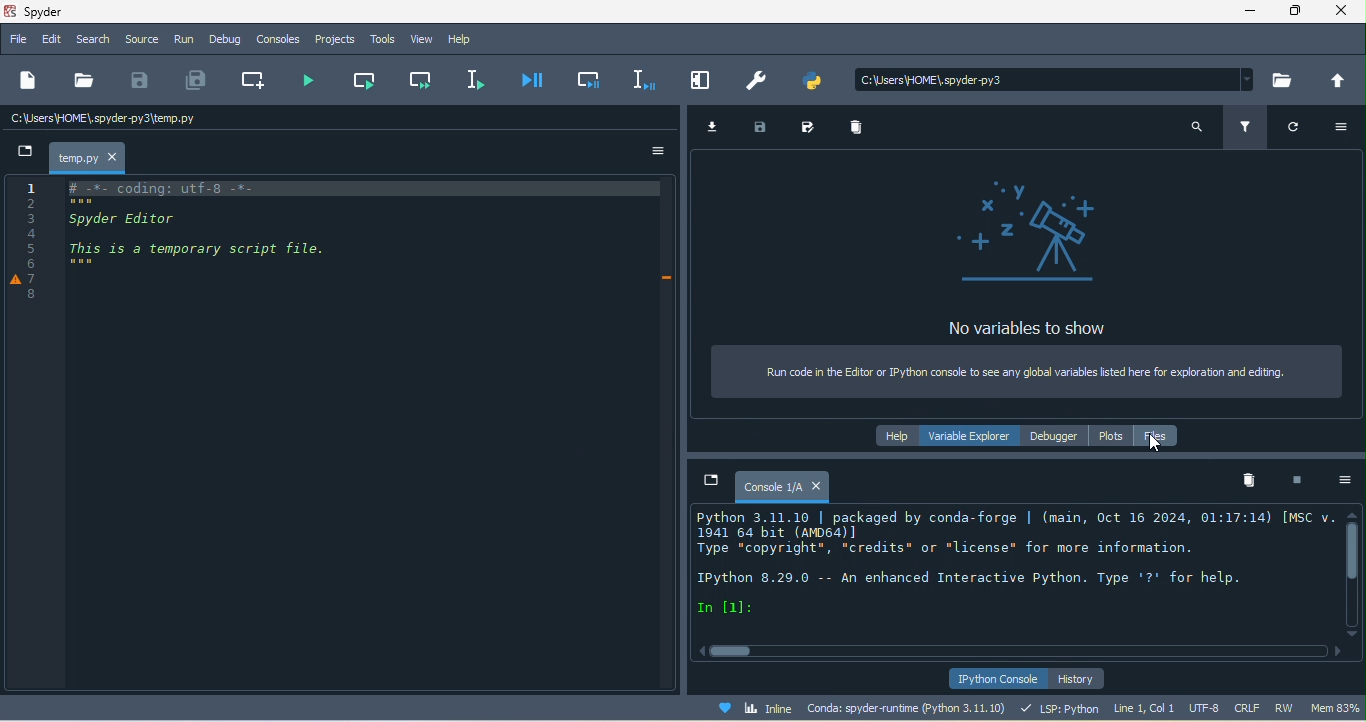 The height and width of the screenshot is (722, 1366). What do you see at coordinates (1026, 374) in the screenshot?
I see `run code in editor` at bounding box center [1026, 374].